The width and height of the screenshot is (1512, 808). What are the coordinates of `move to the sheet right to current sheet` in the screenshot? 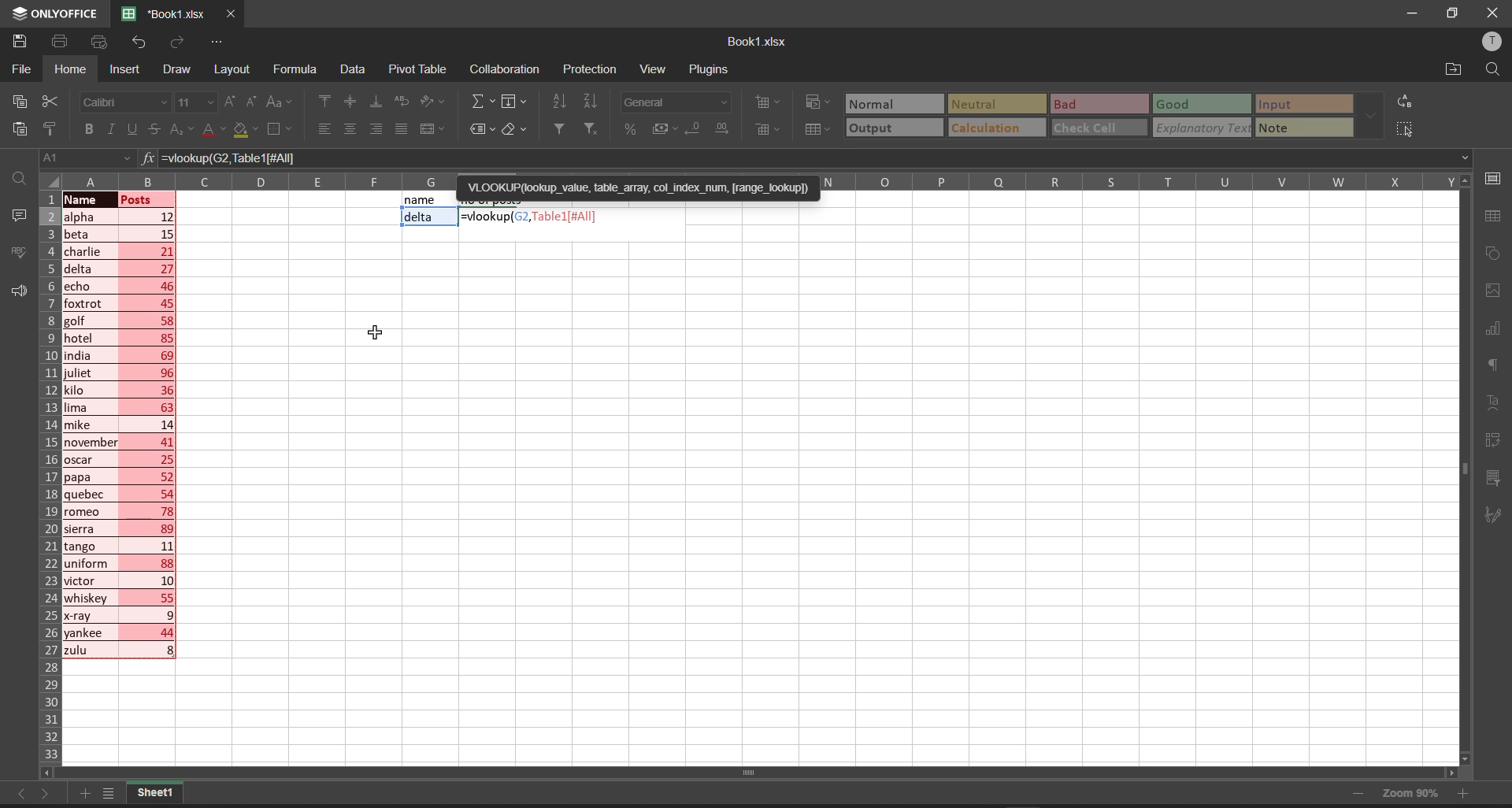 It's located at (48, 797).